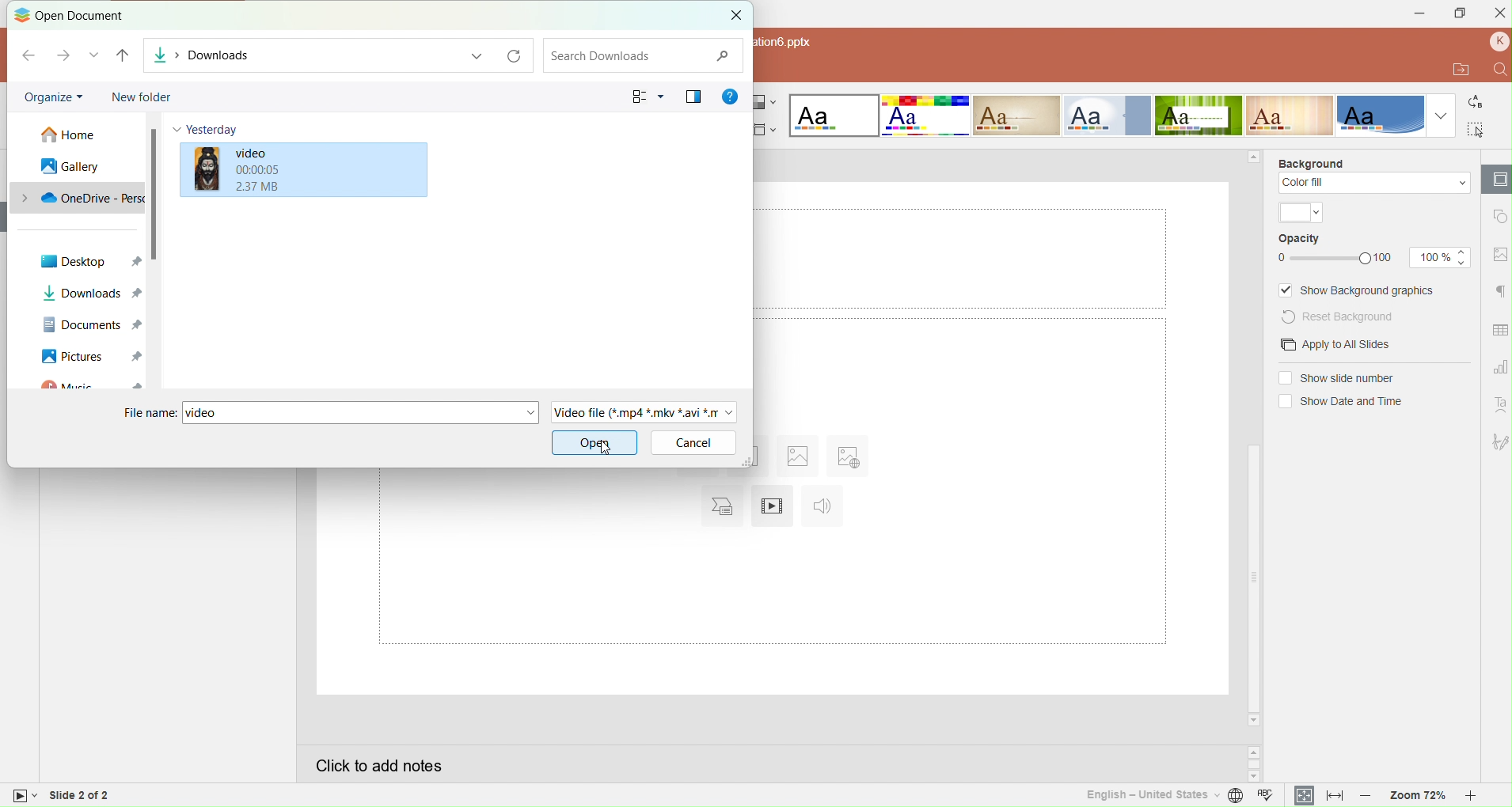  What do you see at coordinates (645, 56) in the screenshot?
I see `Search downloads` at bounding box center [645, 56].